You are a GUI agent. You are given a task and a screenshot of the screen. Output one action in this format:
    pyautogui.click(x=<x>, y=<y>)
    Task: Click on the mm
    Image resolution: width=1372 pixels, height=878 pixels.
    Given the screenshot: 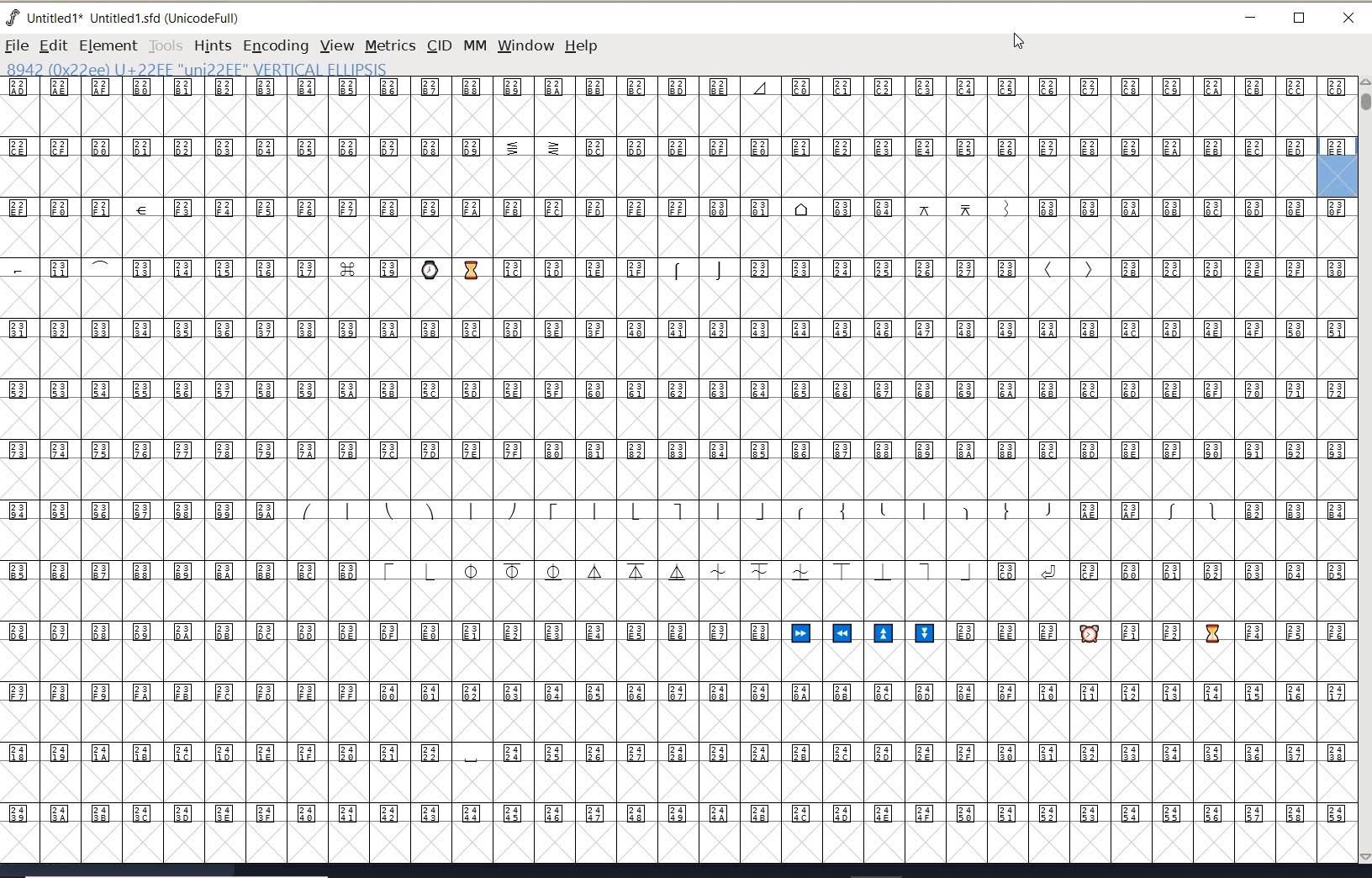 What is the action you would take?
    pyautogui.click(x=473, y=43)
    